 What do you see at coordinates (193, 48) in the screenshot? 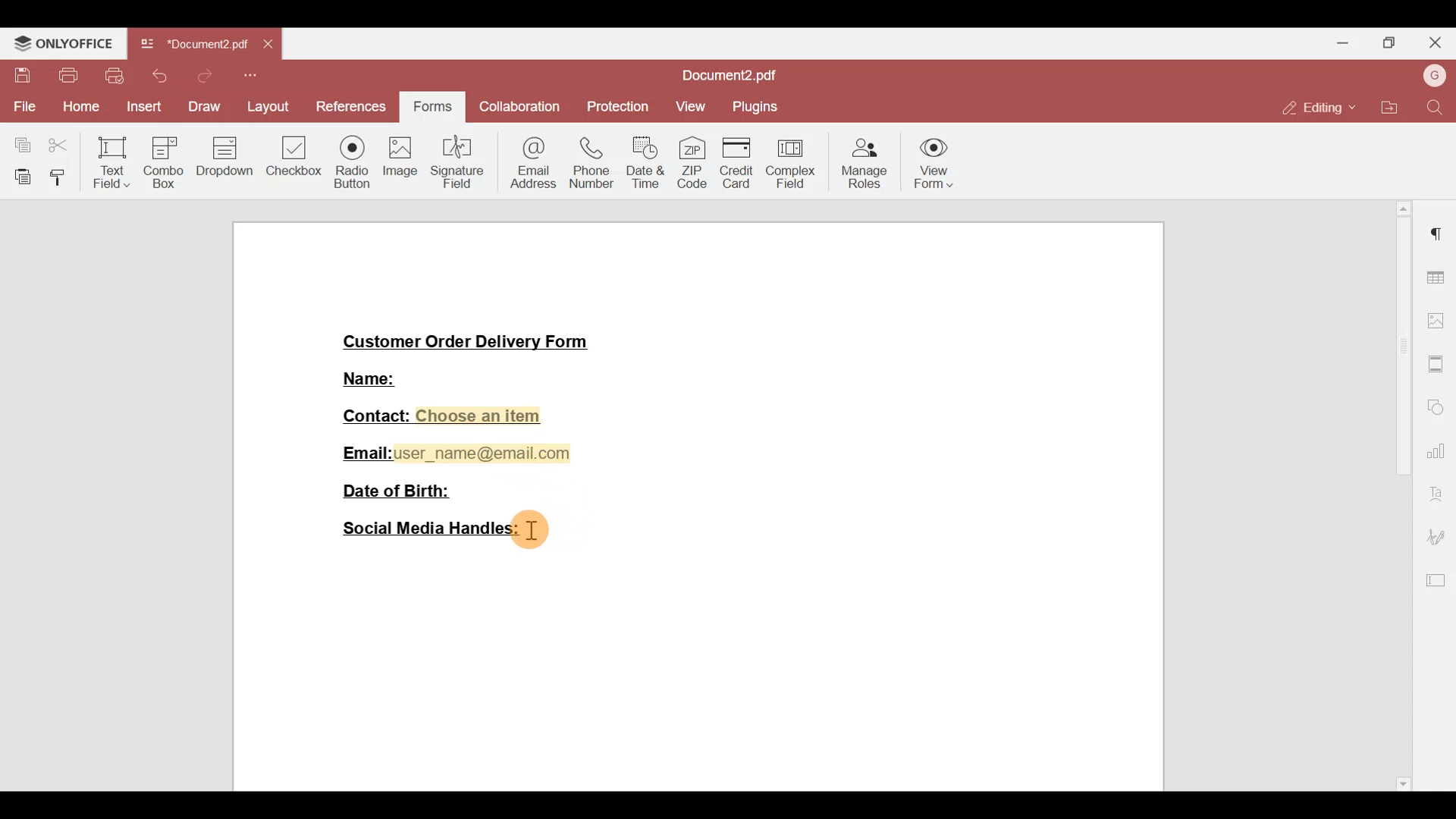
I see `Document2.pdf` at bounding box center [193, 48].